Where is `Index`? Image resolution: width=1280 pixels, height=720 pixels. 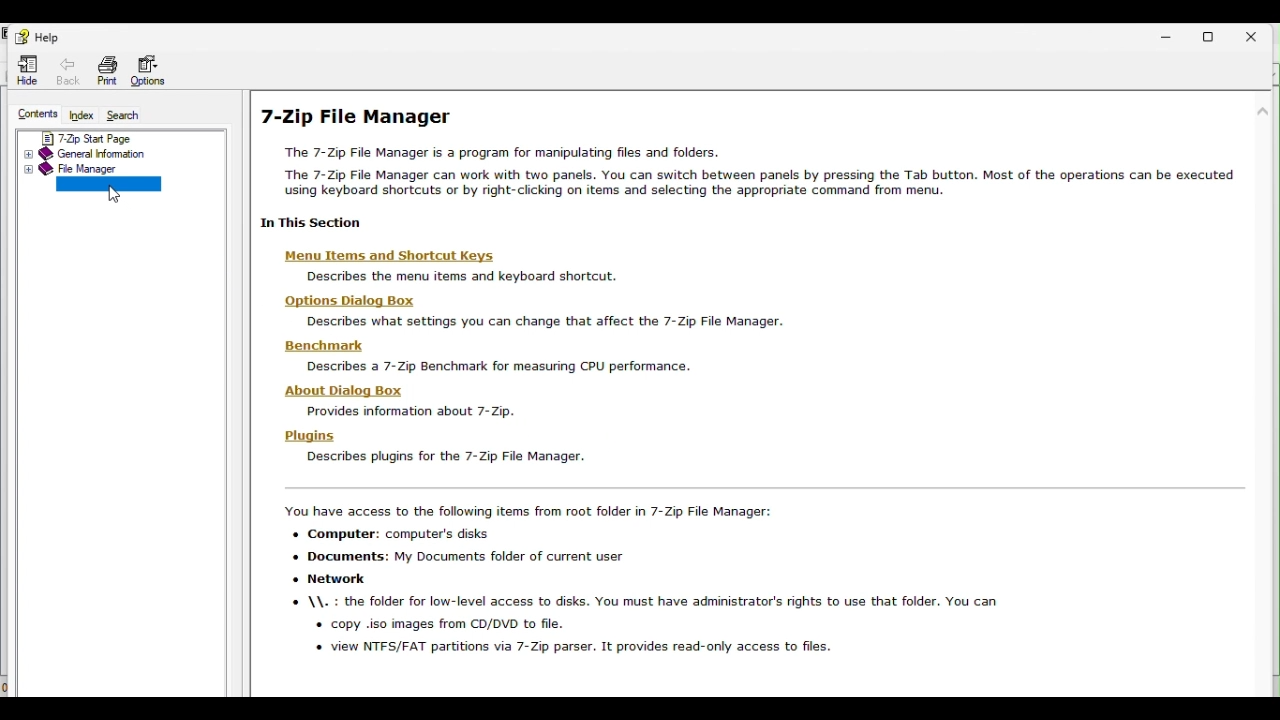
Index is located at coordinates (80, 113).